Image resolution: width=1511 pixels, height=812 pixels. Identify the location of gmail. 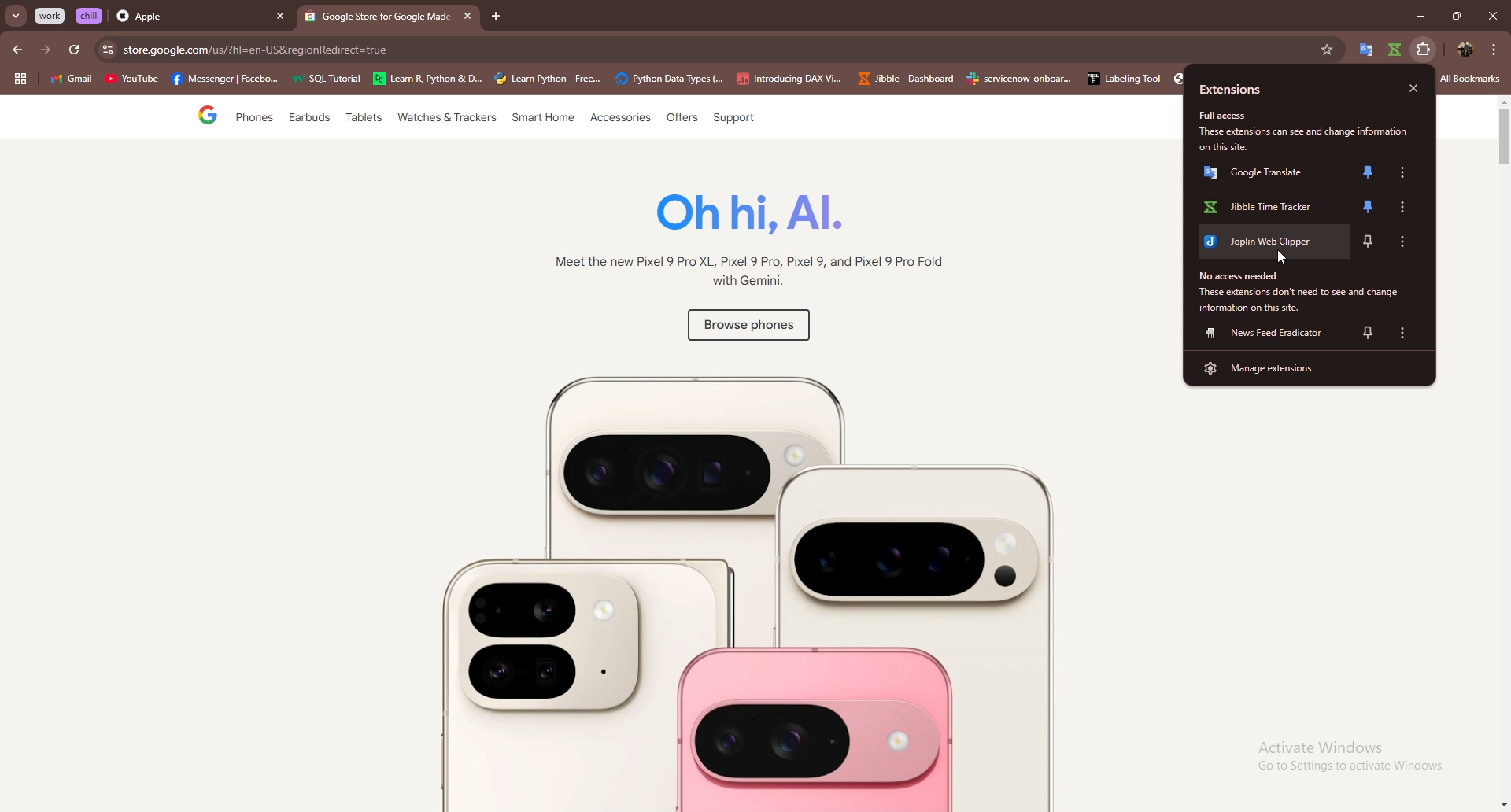
(71, 80).